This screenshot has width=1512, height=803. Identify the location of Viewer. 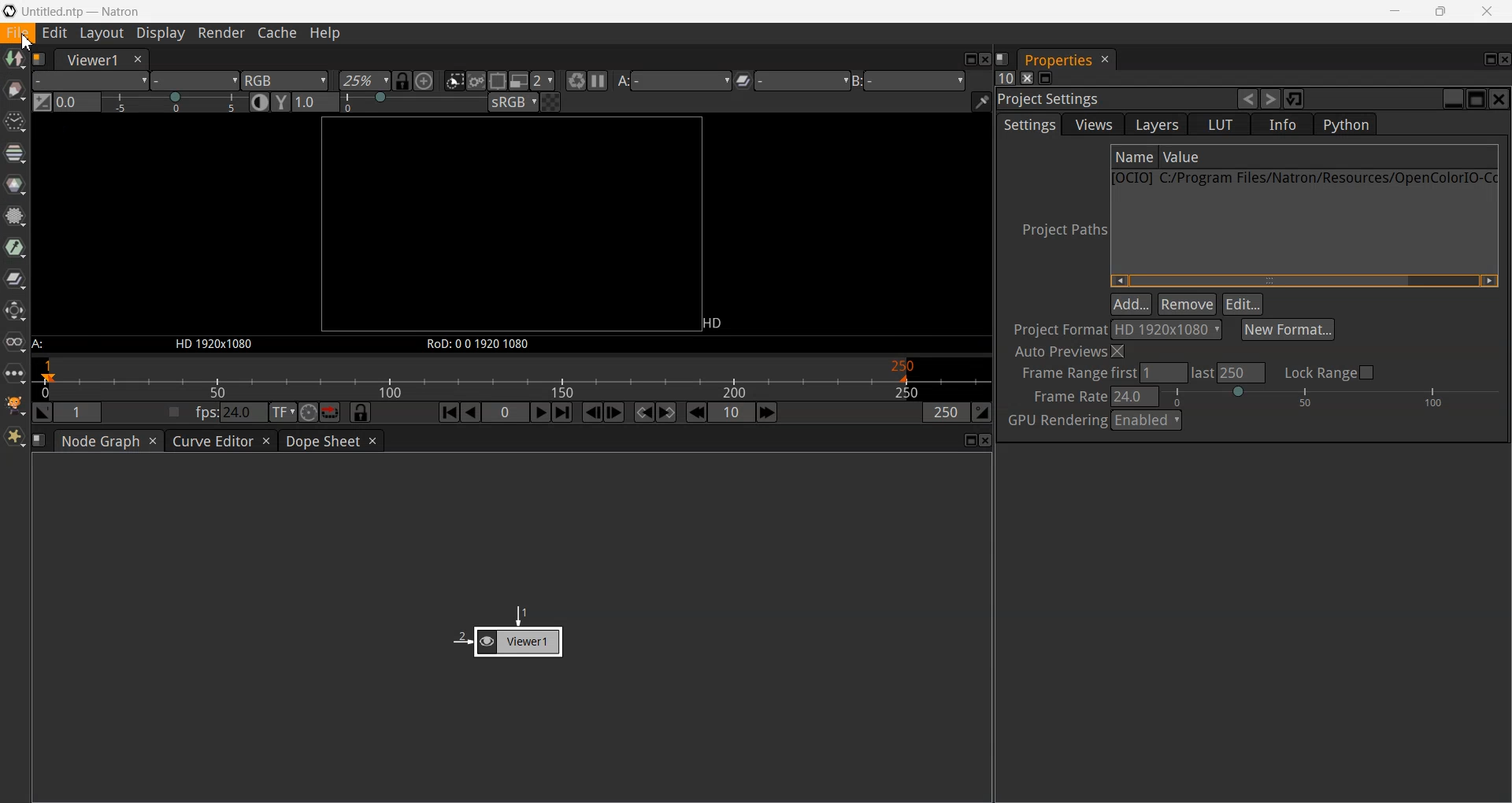
(508, 631).